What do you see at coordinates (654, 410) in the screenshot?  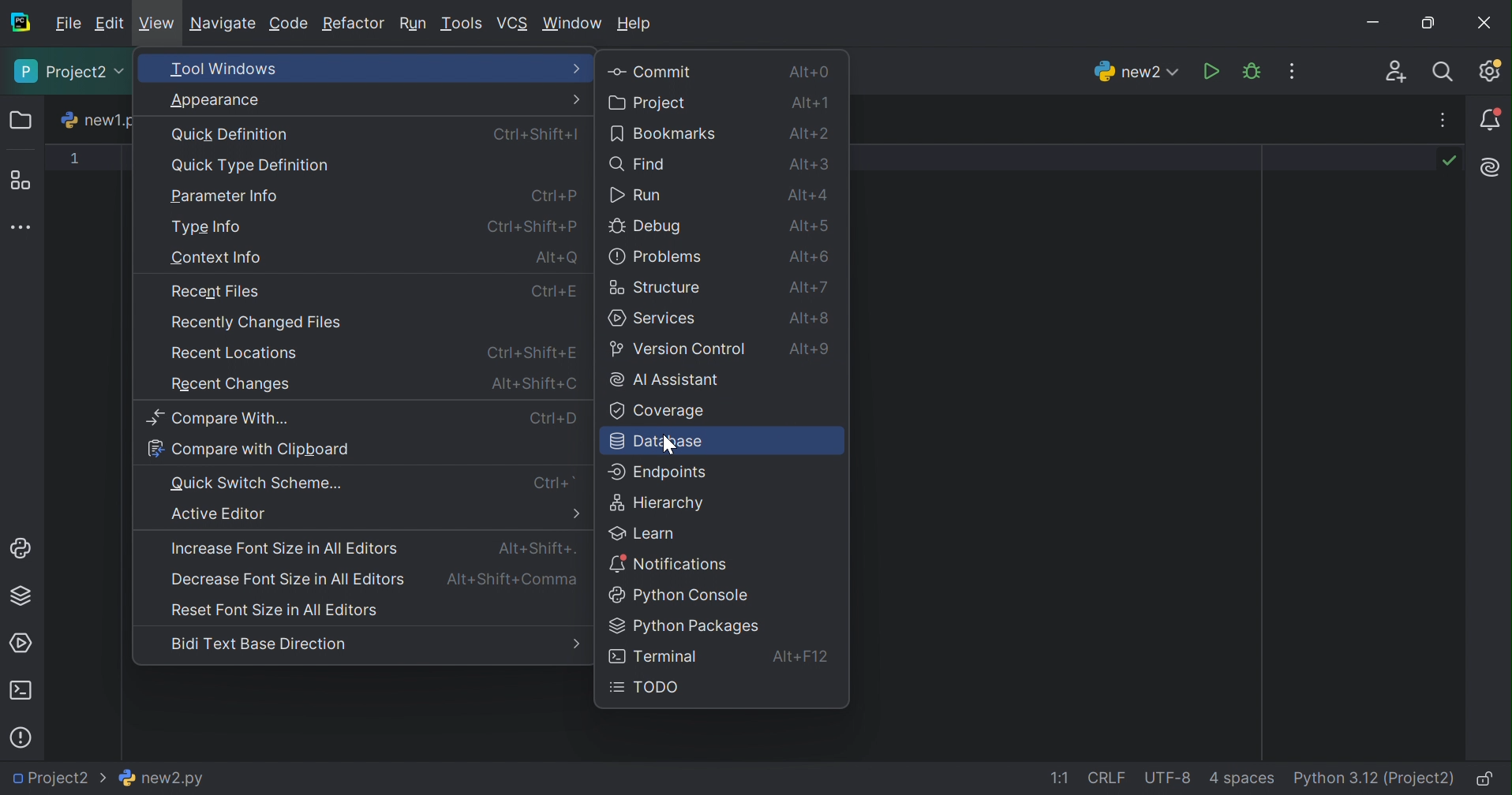 I see `Coverage` at bounding box center [654, 410].